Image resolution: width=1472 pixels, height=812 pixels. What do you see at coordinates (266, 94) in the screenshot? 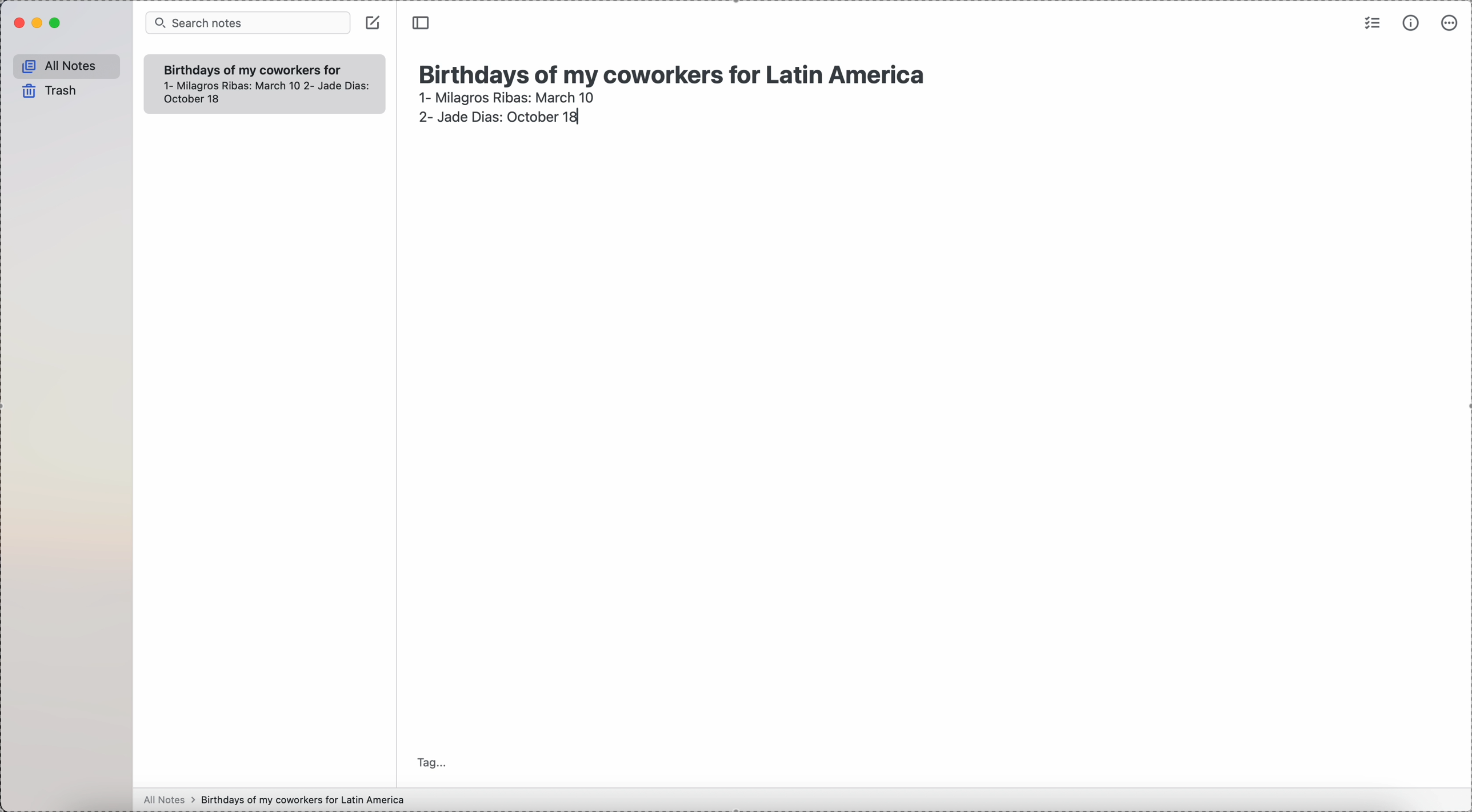
I see `1- Milagros Ribas: March 10 2- Jade Dias: October 18` at bounding box center [266, 94].